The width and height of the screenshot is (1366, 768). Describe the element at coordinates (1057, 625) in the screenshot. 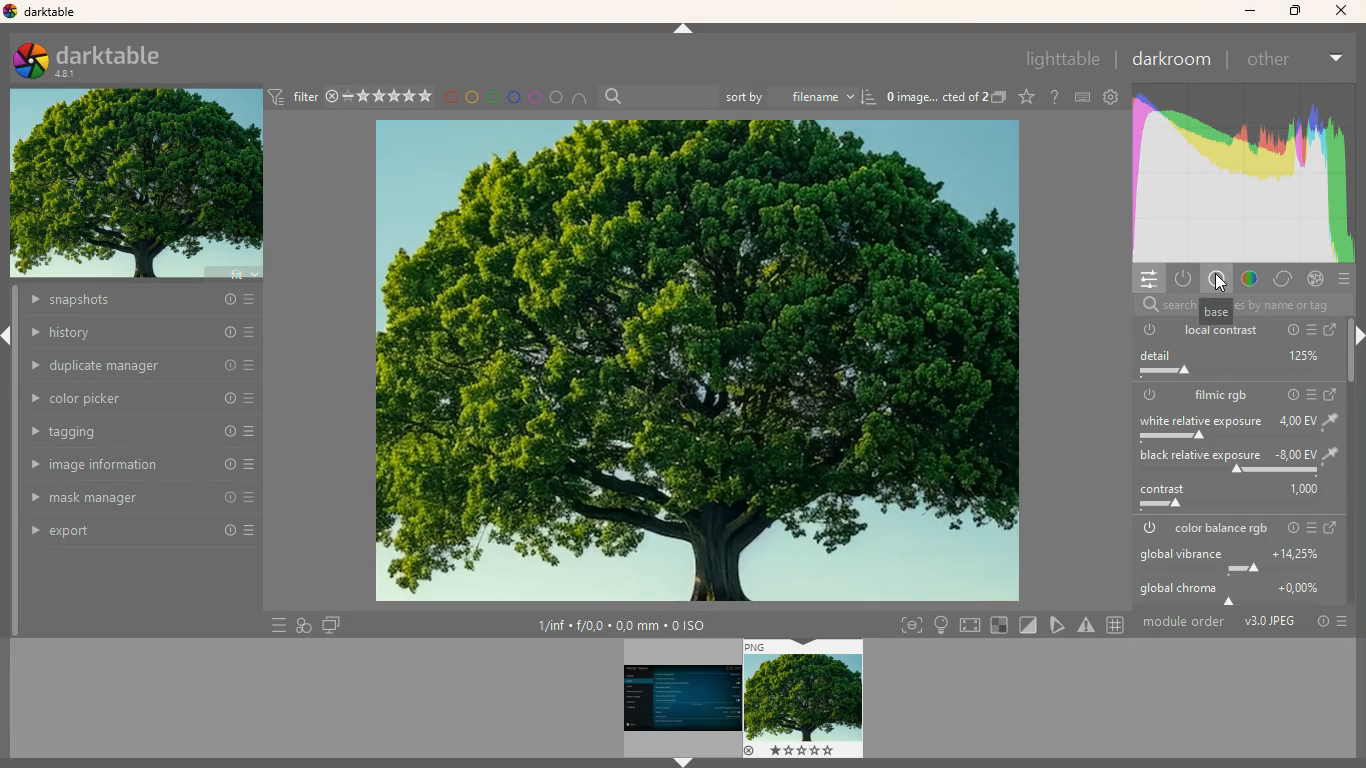

I see `pick` at that location.